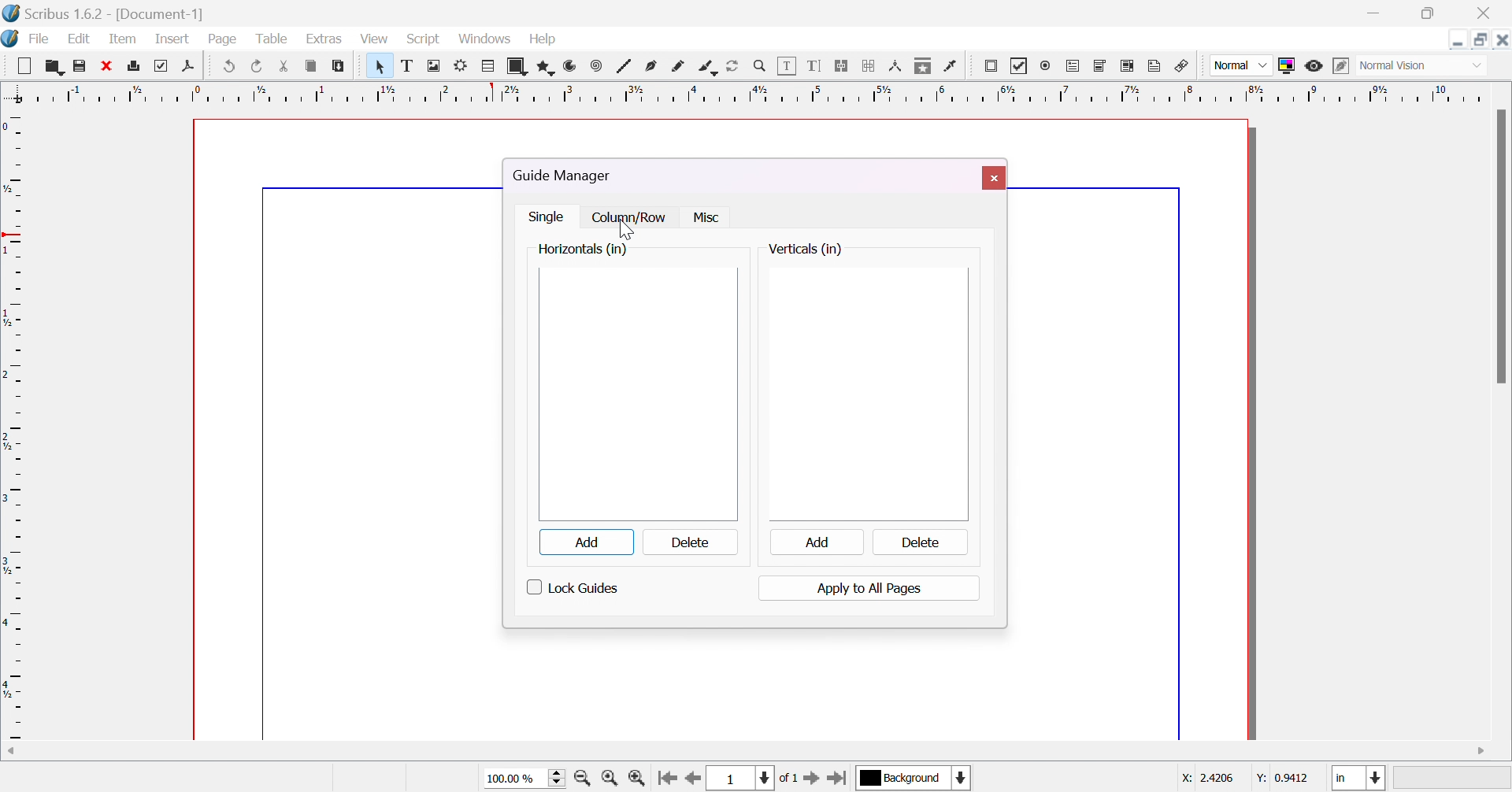  Describe the element at coordinates (223, 36) in the screenshot. I see `page` at that location.